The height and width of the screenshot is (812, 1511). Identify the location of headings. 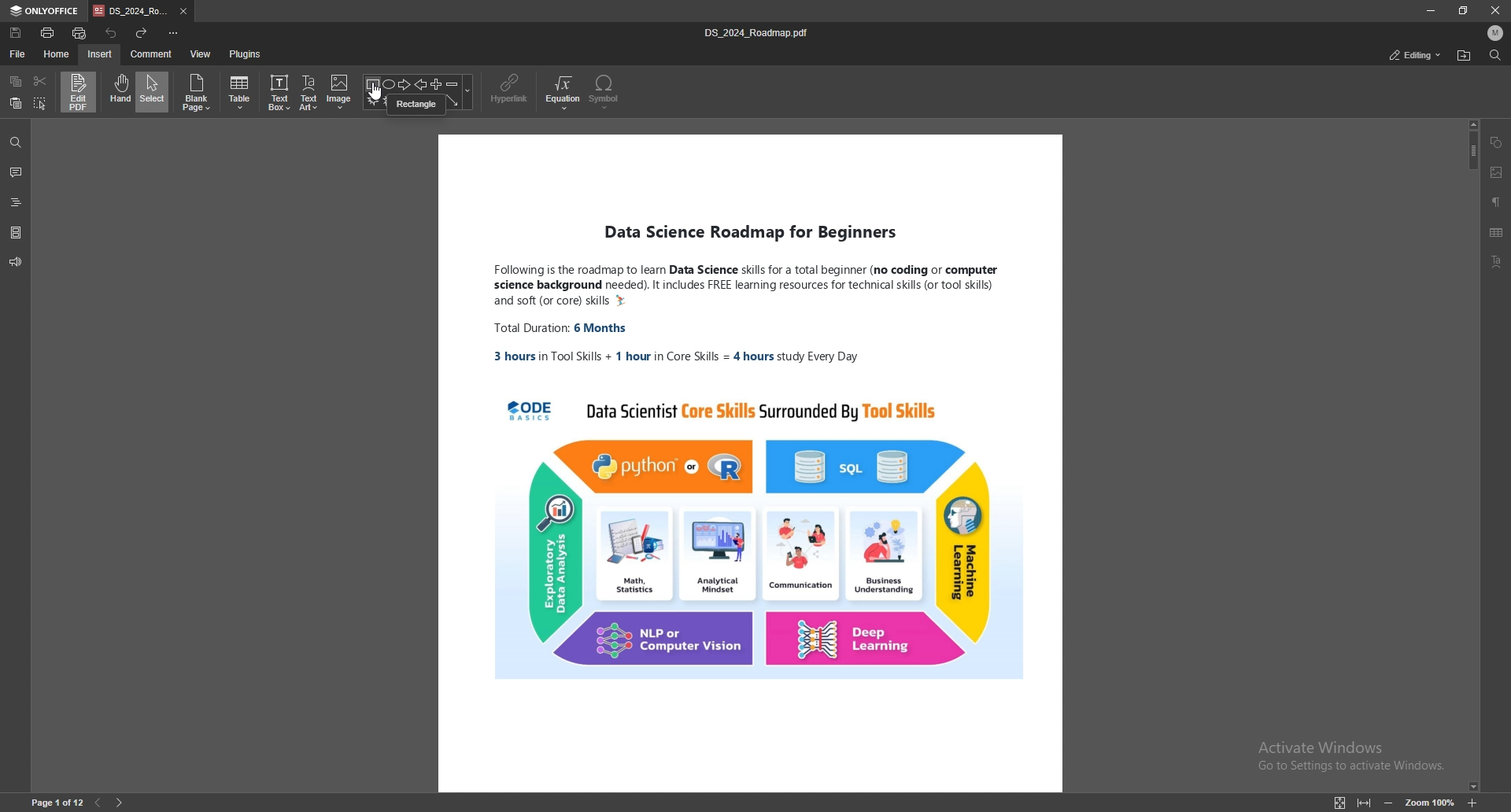
(17, 200).